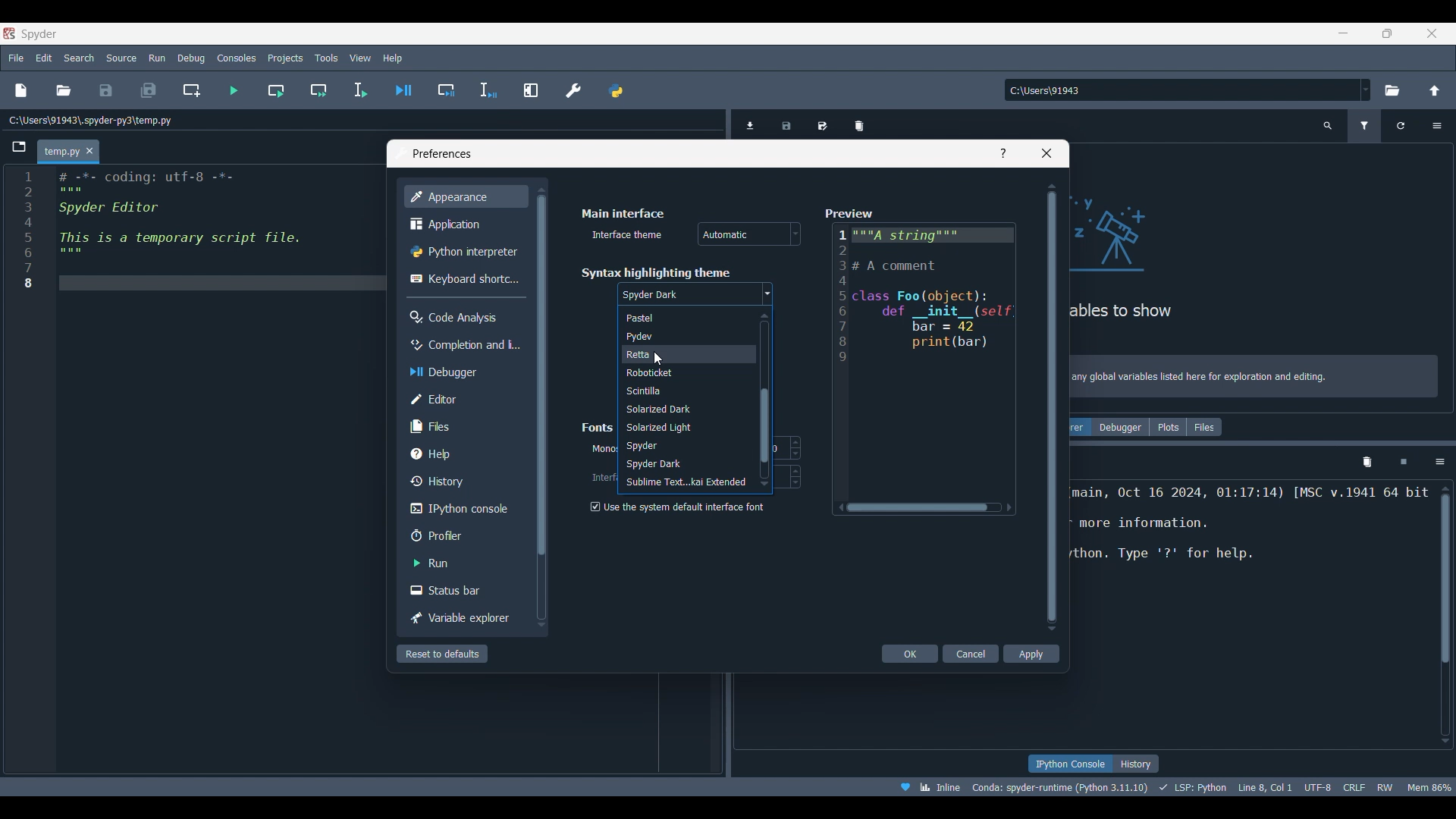 This screenshot has width=1456, height=819. Describe the element at coordinates (682, 463) in the screenshot. I see `spyder dark` at that location.